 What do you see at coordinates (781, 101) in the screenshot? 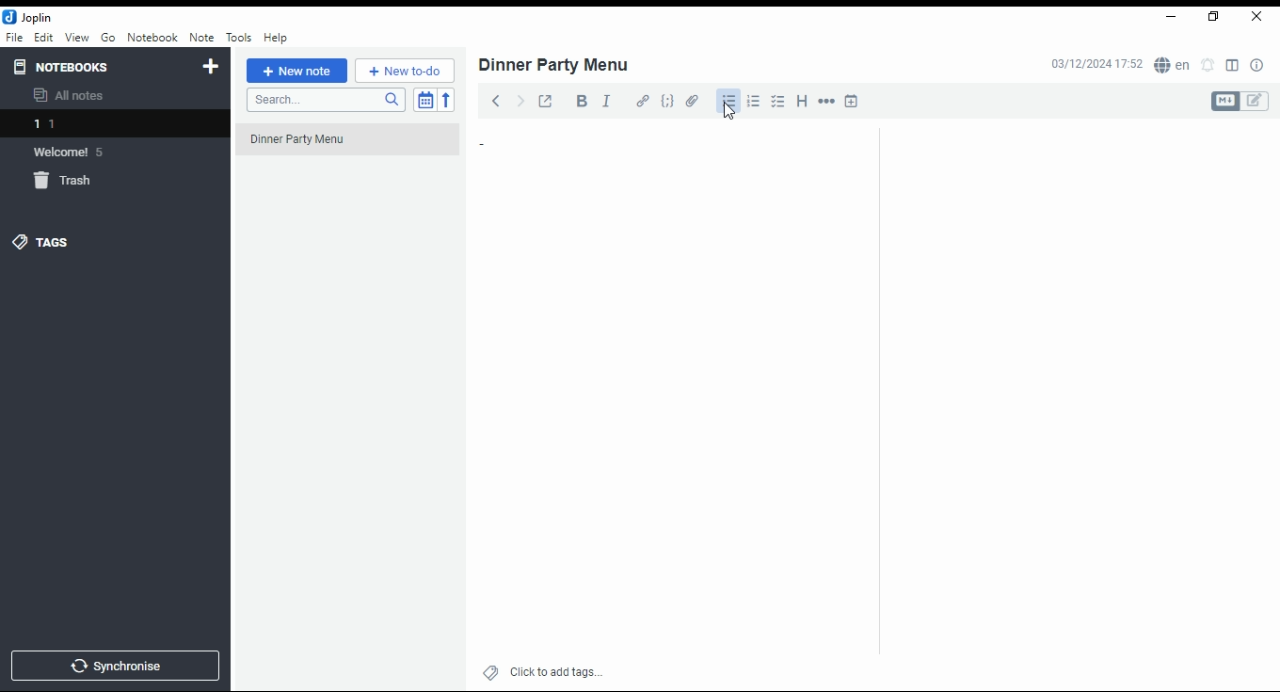
I see `chekbox list` at bounding box center [781, 101].